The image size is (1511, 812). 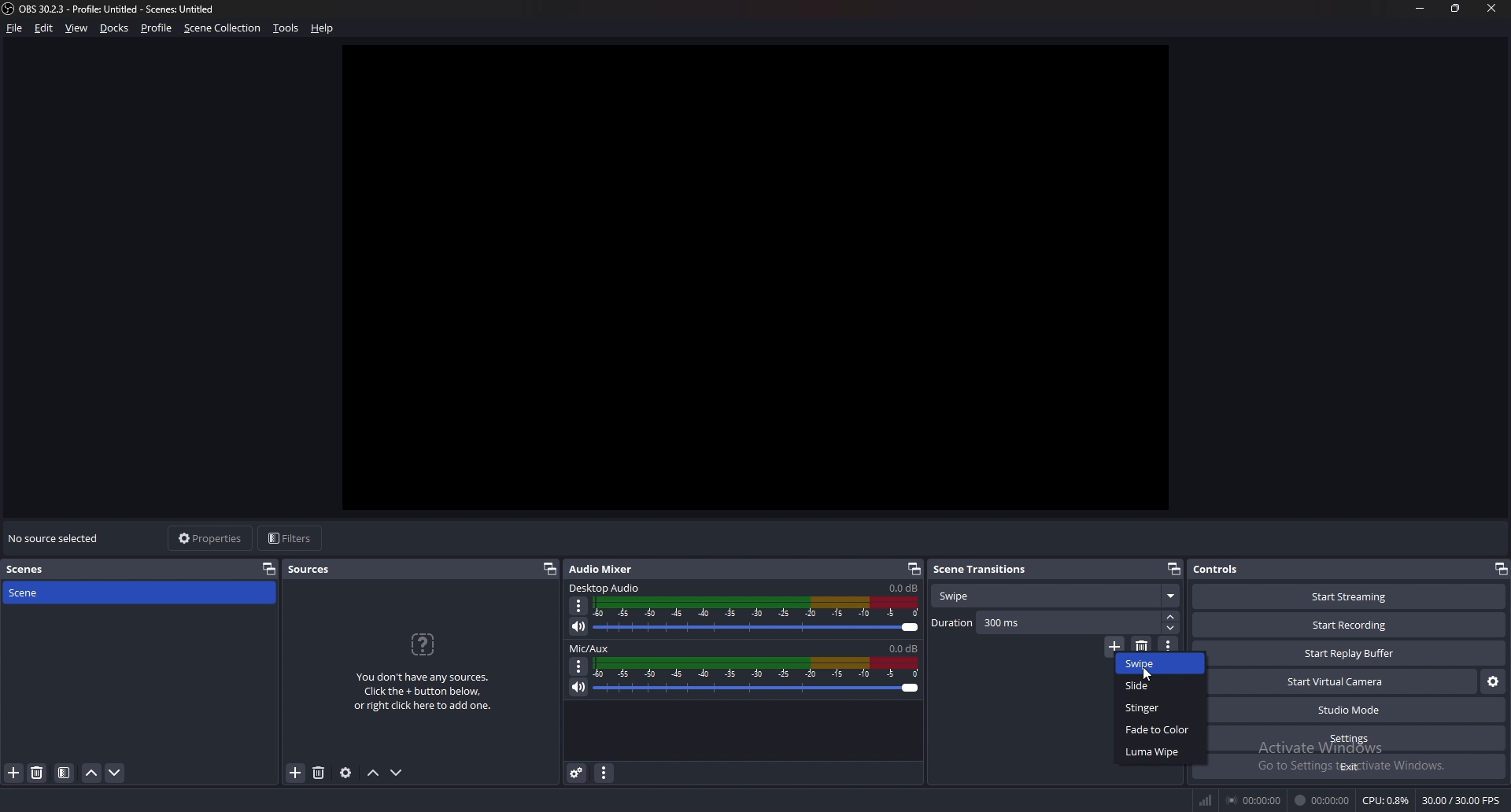 What do you see at coordinates (115, 28) in the screenshot?
I see `docks` at bounding box center [115, 28].